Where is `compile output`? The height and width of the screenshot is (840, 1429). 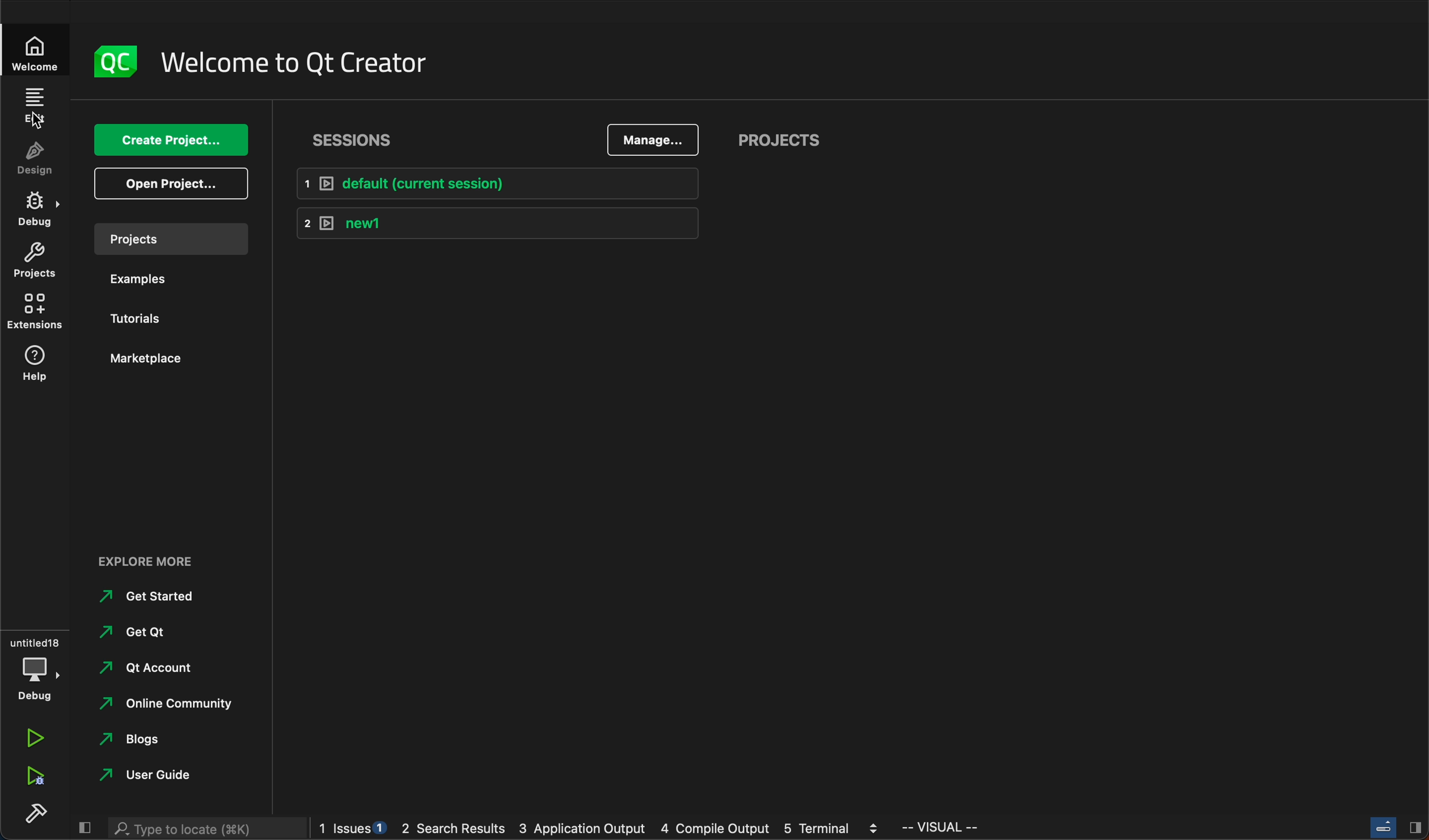
compile output is located at coordinates (716, 829).